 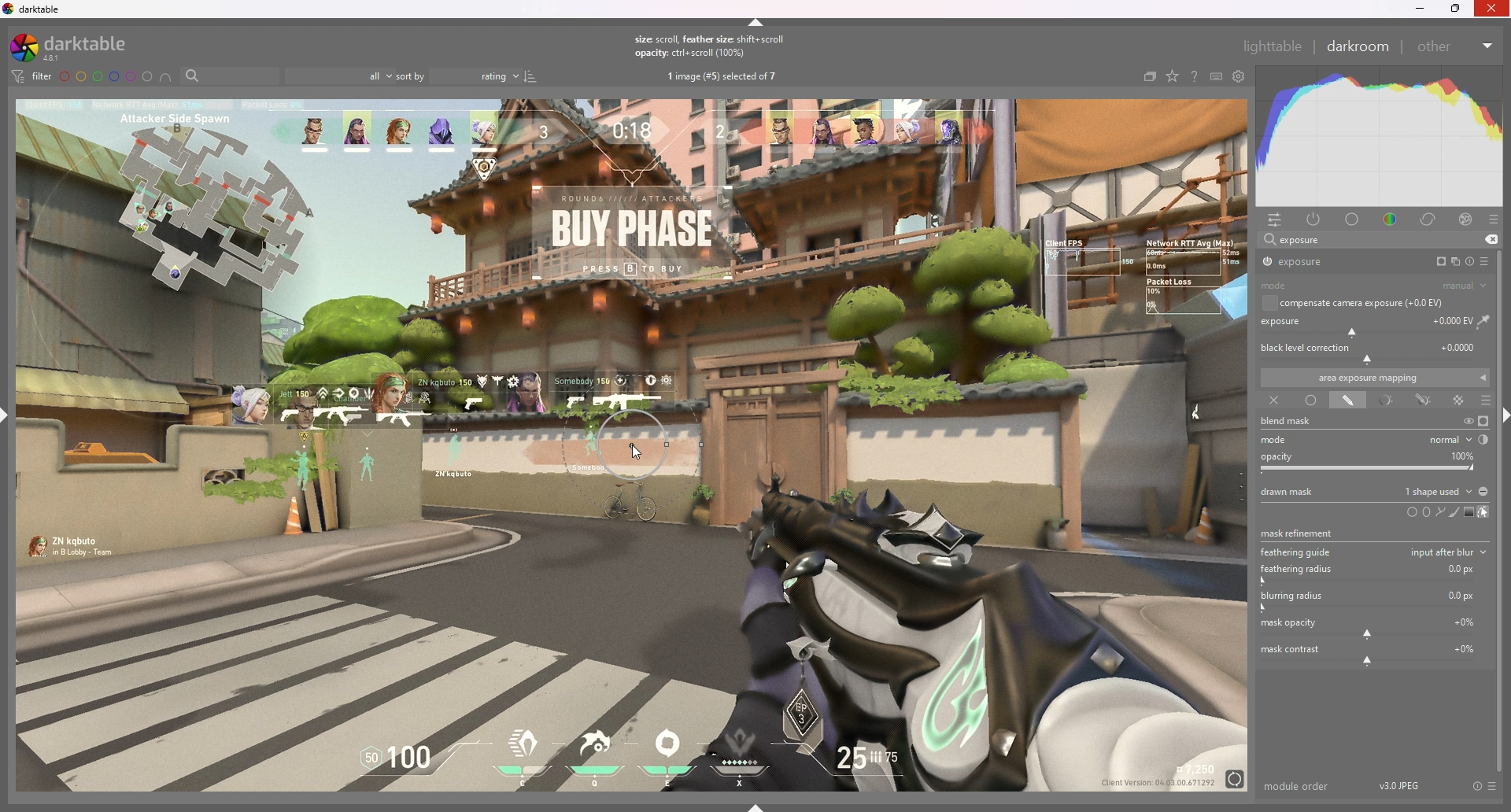 What do you see at coordinates (1357, 46) in the screenshot?
I see `darkroom` at bounding box center [1357, 46].